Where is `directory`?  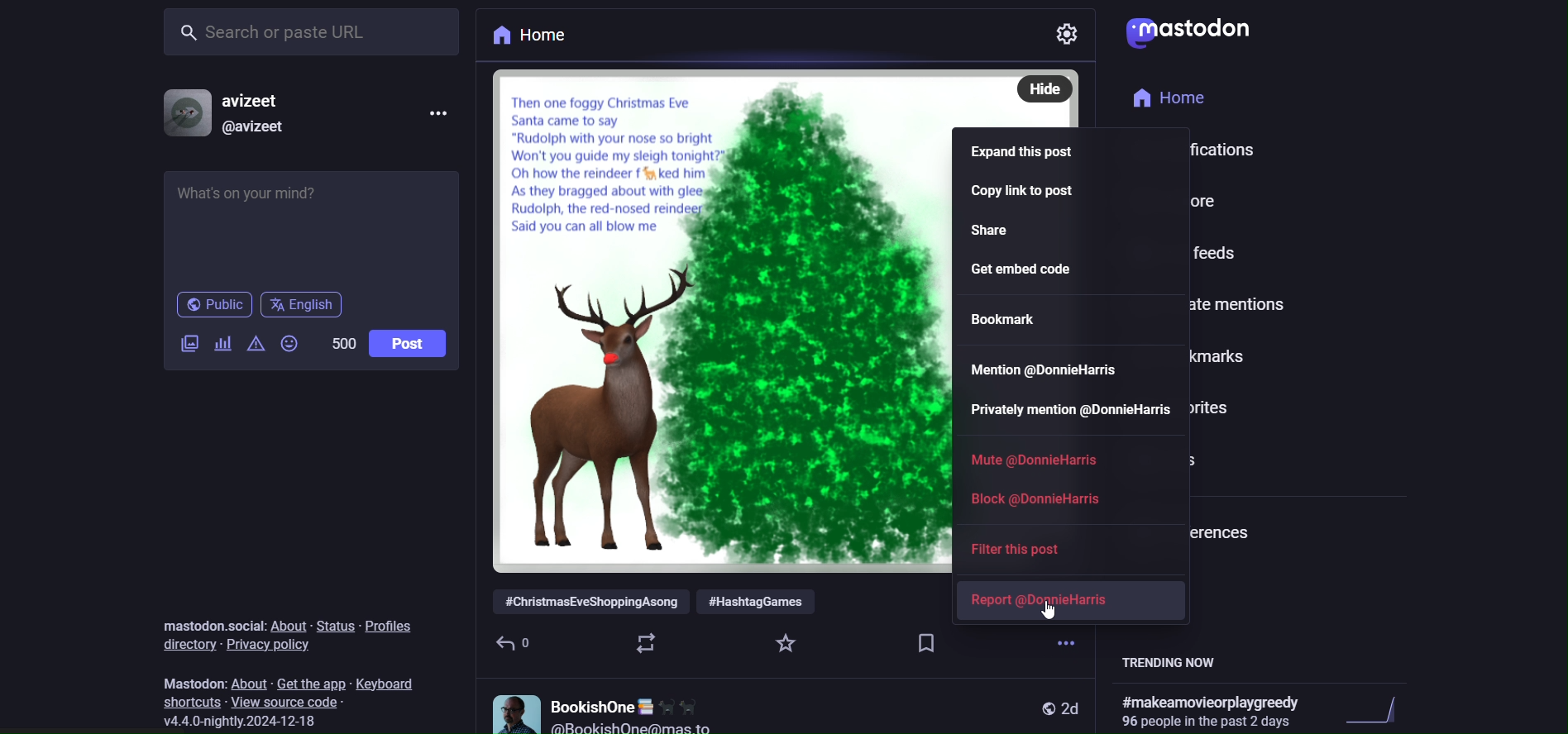
directory is located at coordinates (185, 643).